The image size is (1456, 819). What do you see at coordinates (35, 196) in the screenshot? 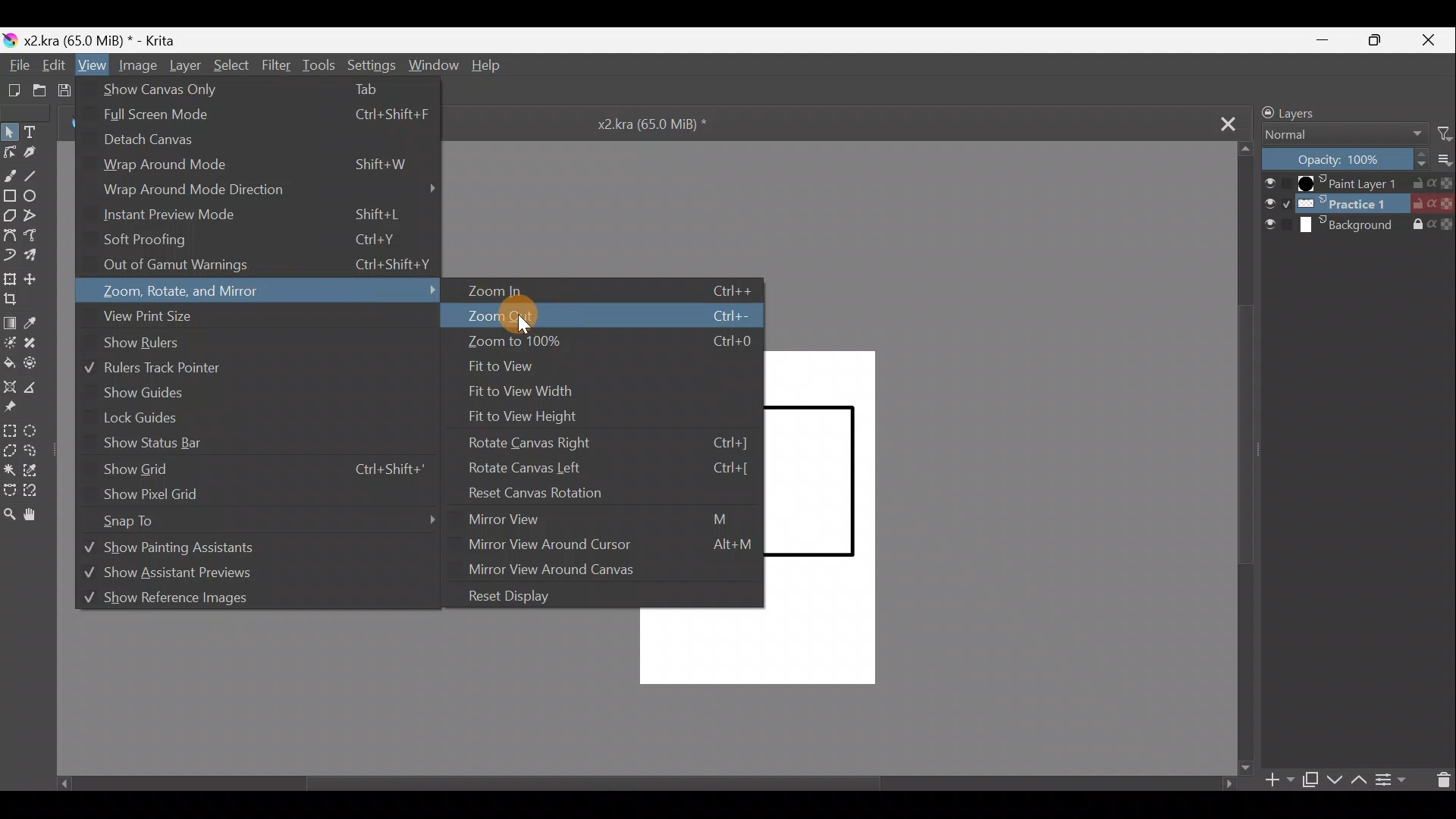
I see `Ellipse tool` at bounding box center [35, 196].